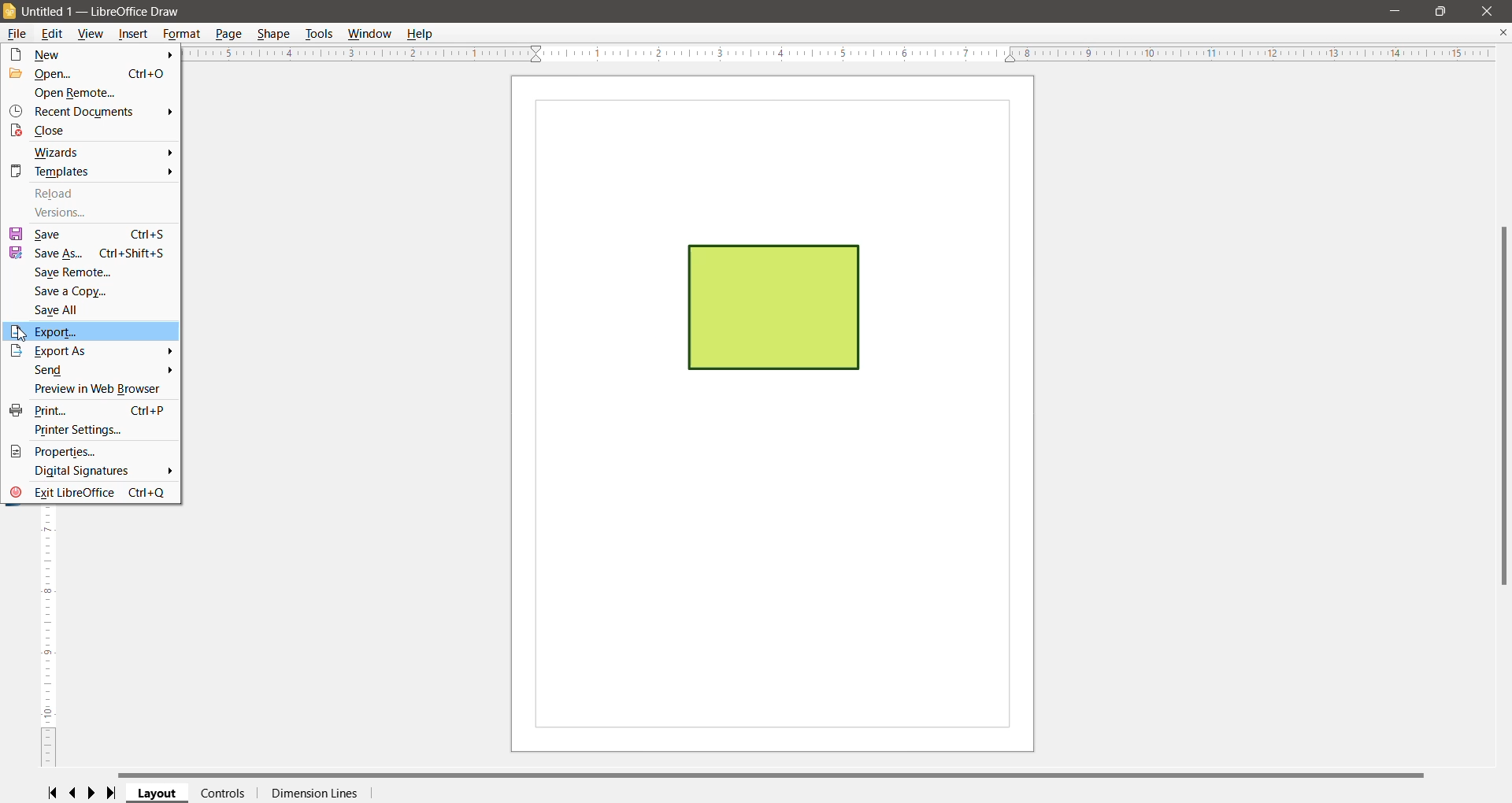 The height and width of the screenshot is (803, 1512). Describe the element at coordinates (46, 131) in the screenshot. I see `Close` at that location.